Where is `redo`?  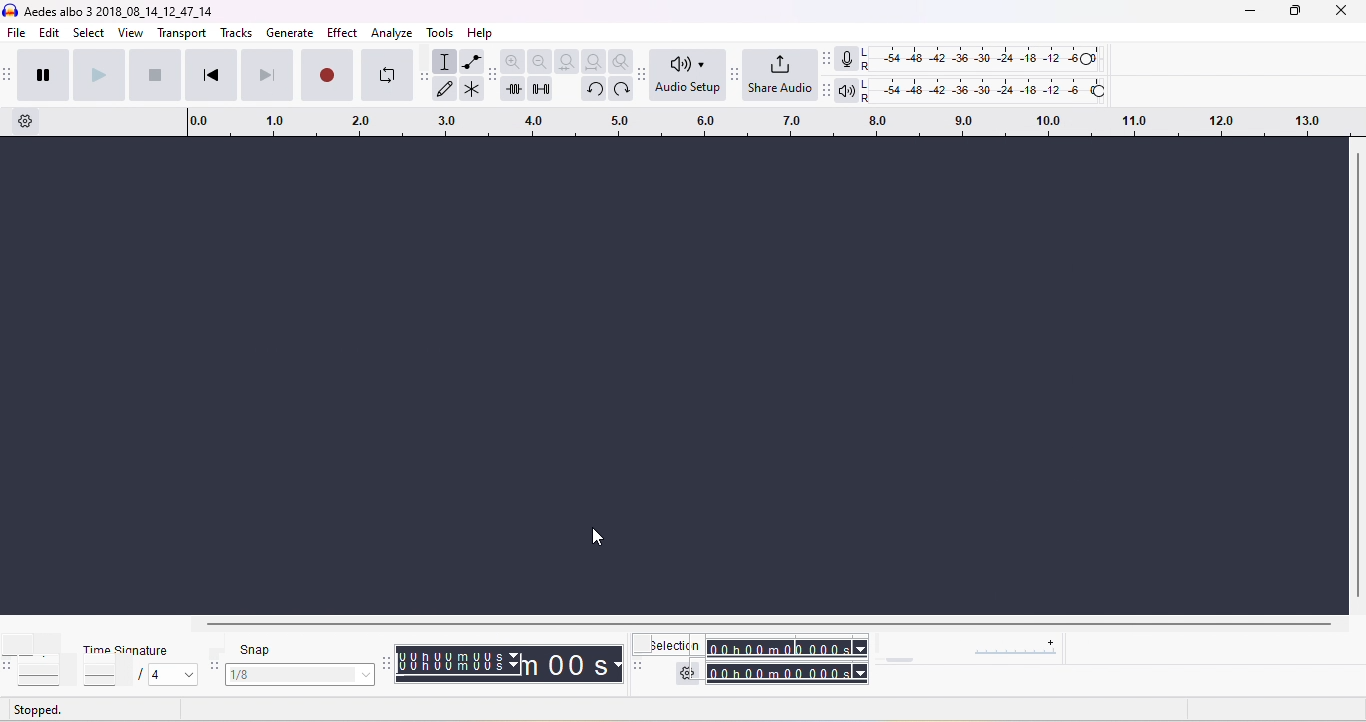
redo is located at coordinates (622, 89).